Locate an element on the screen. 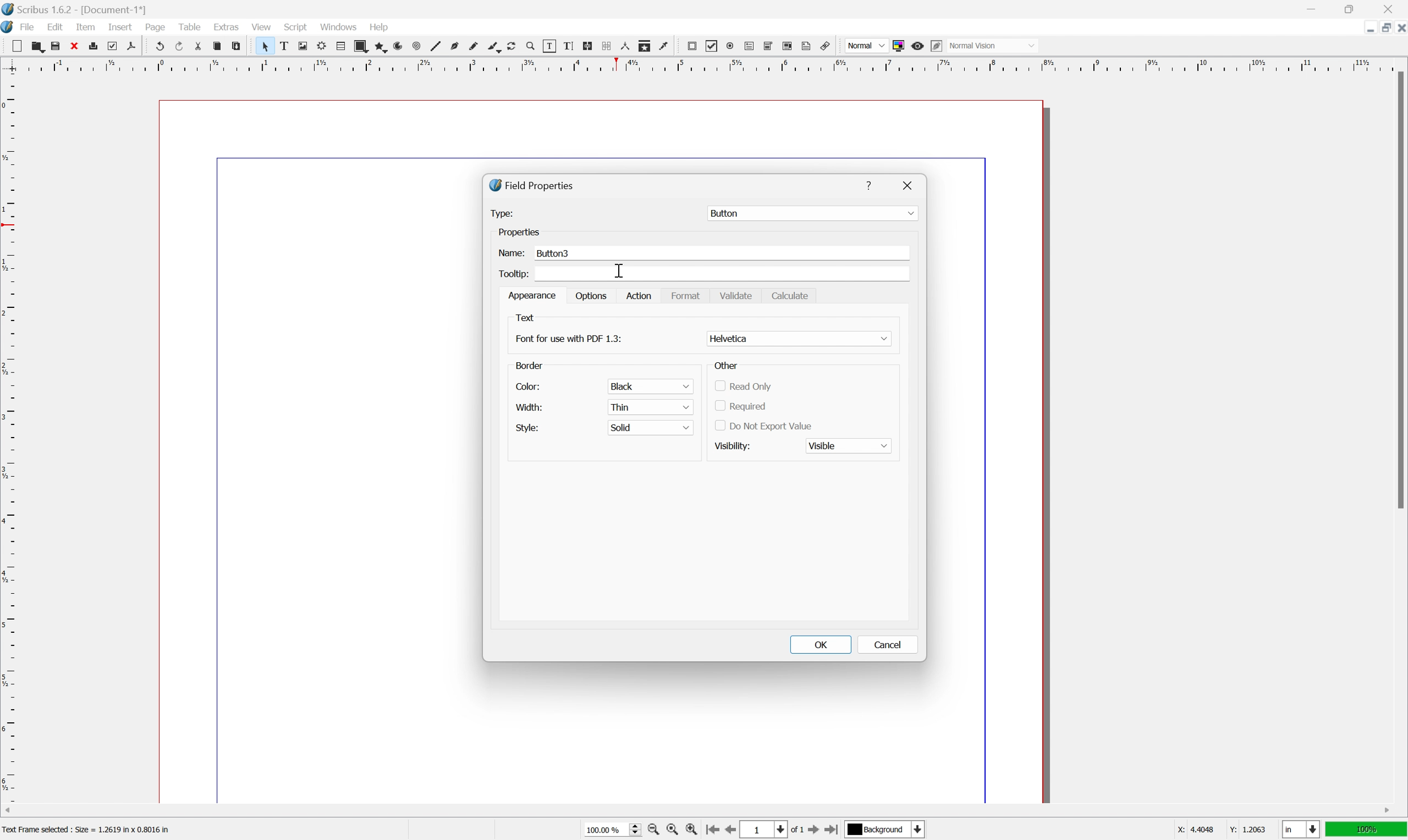 This screenshot has height=840, width=1408. Button3 is located at coordinates (566, 251).